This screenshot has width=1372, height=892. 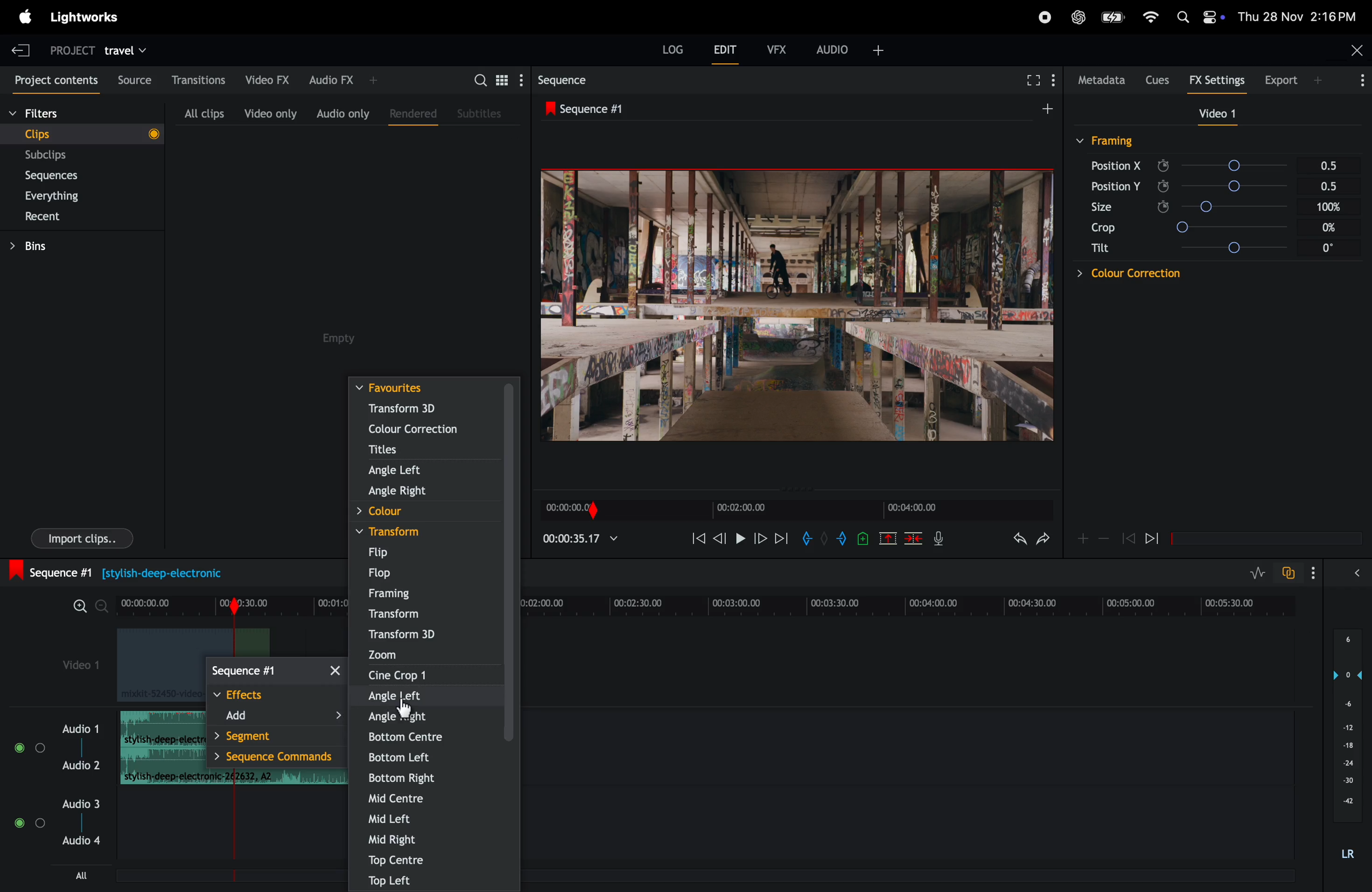 What do you see at coordinates (430, 595) in the screenshot?
I see `framing` at bounding box center [430, 595].